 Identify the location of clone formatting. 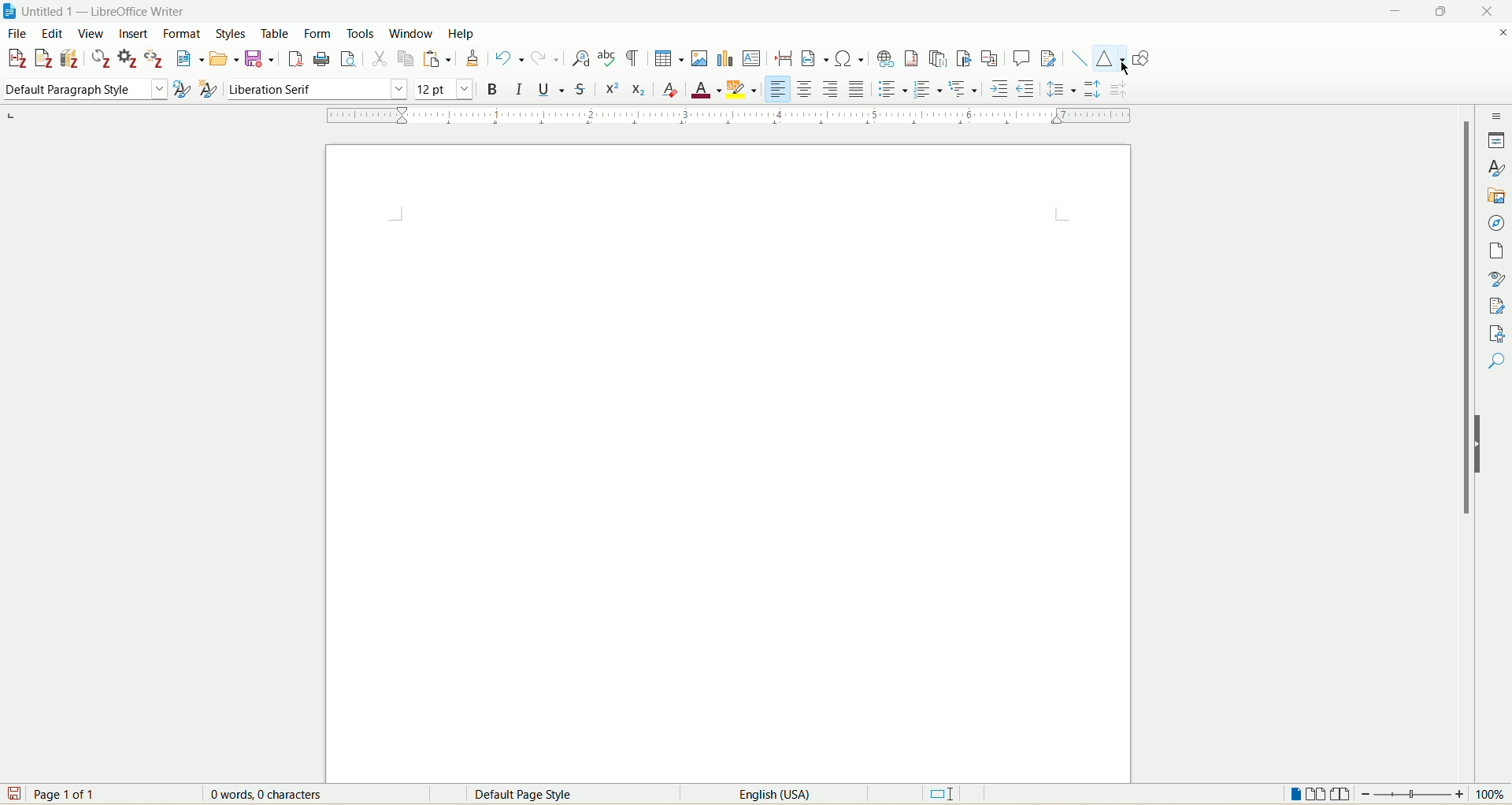
(472, 58).